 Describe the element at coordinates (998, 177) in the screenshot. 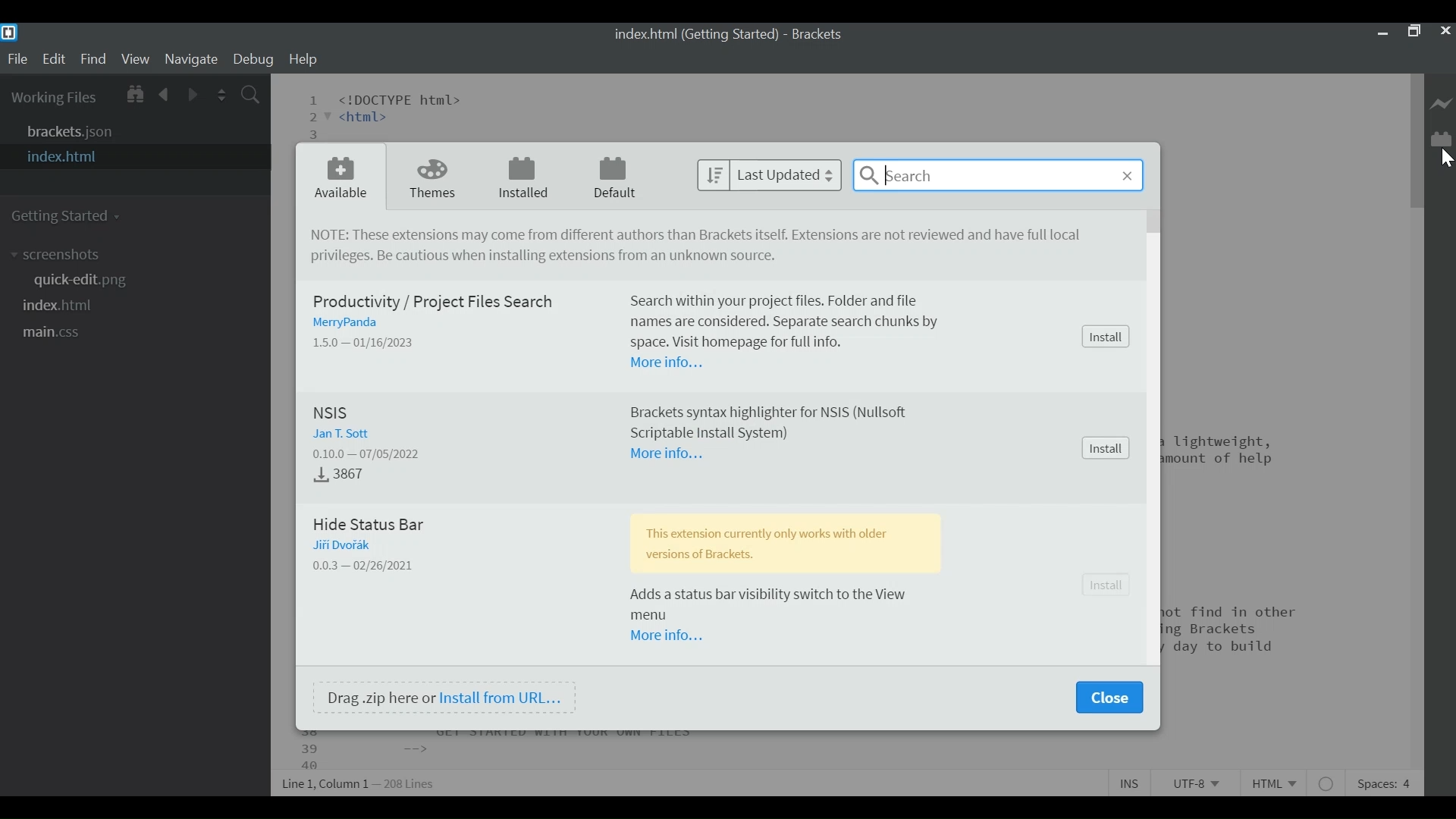

I see `Search` at that location.